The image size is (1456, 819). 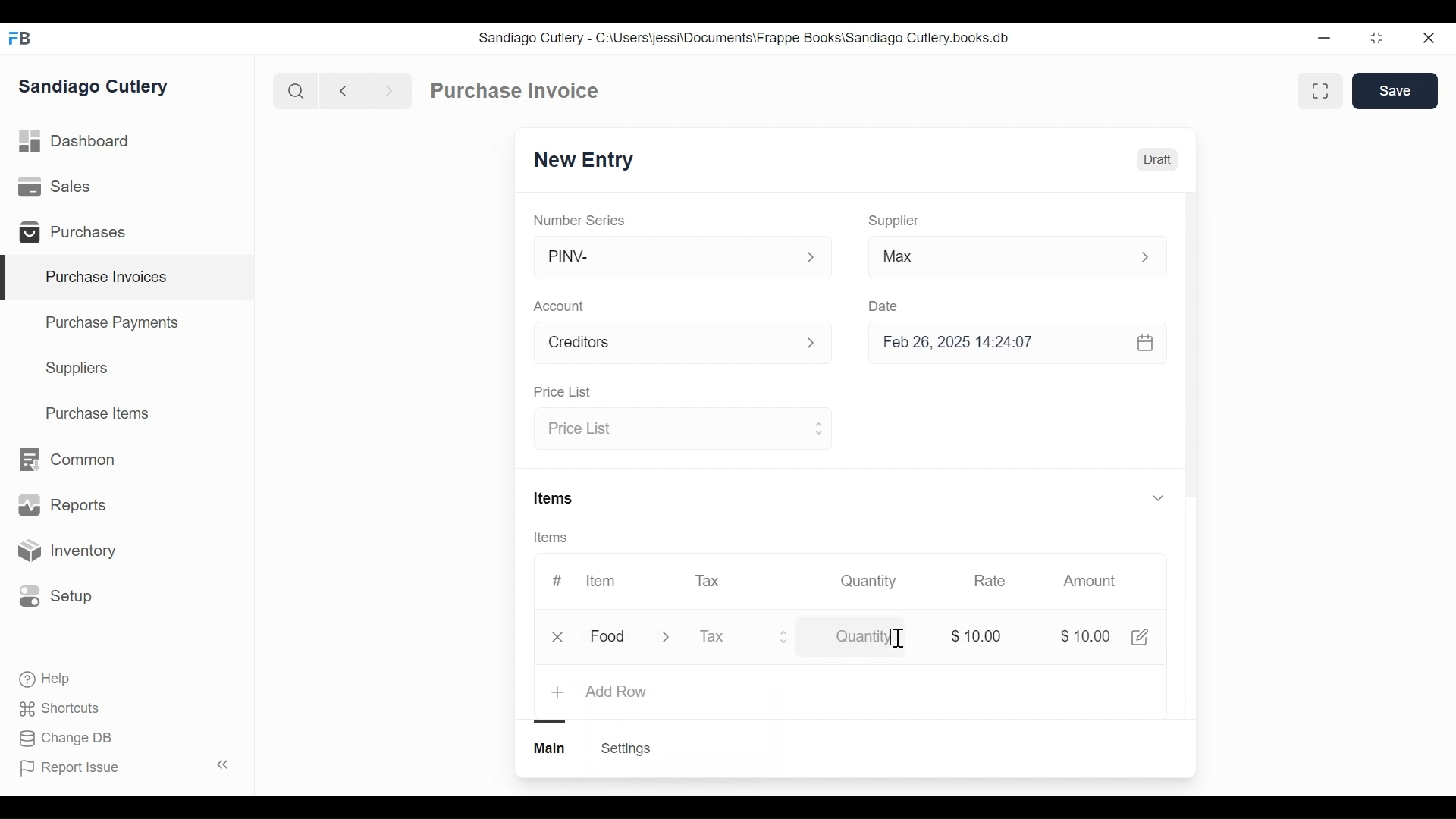 I want to click on close, so click(x=1427, y=39).